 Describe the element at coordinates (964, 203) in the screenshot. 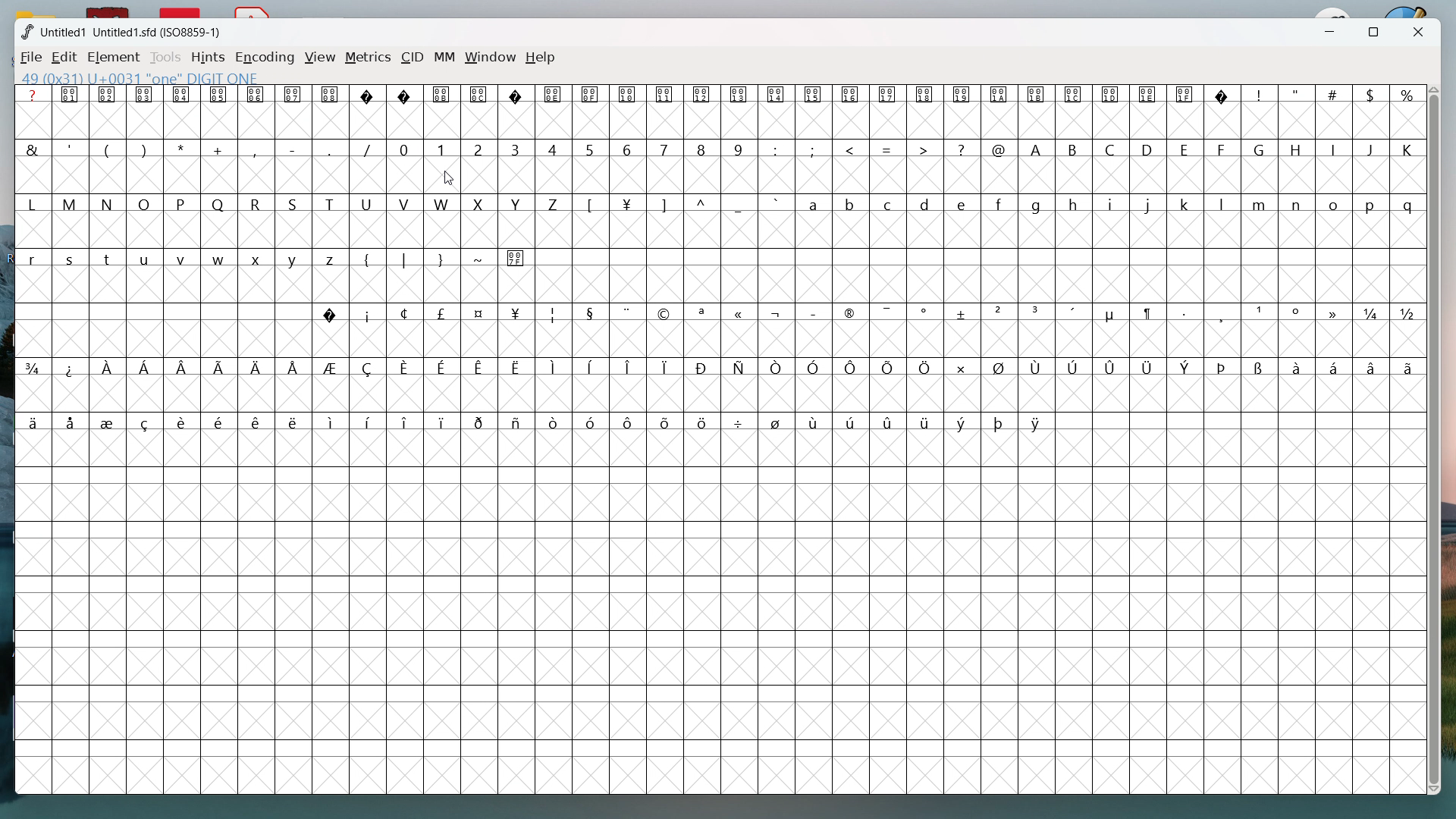

I see `e` at that location.